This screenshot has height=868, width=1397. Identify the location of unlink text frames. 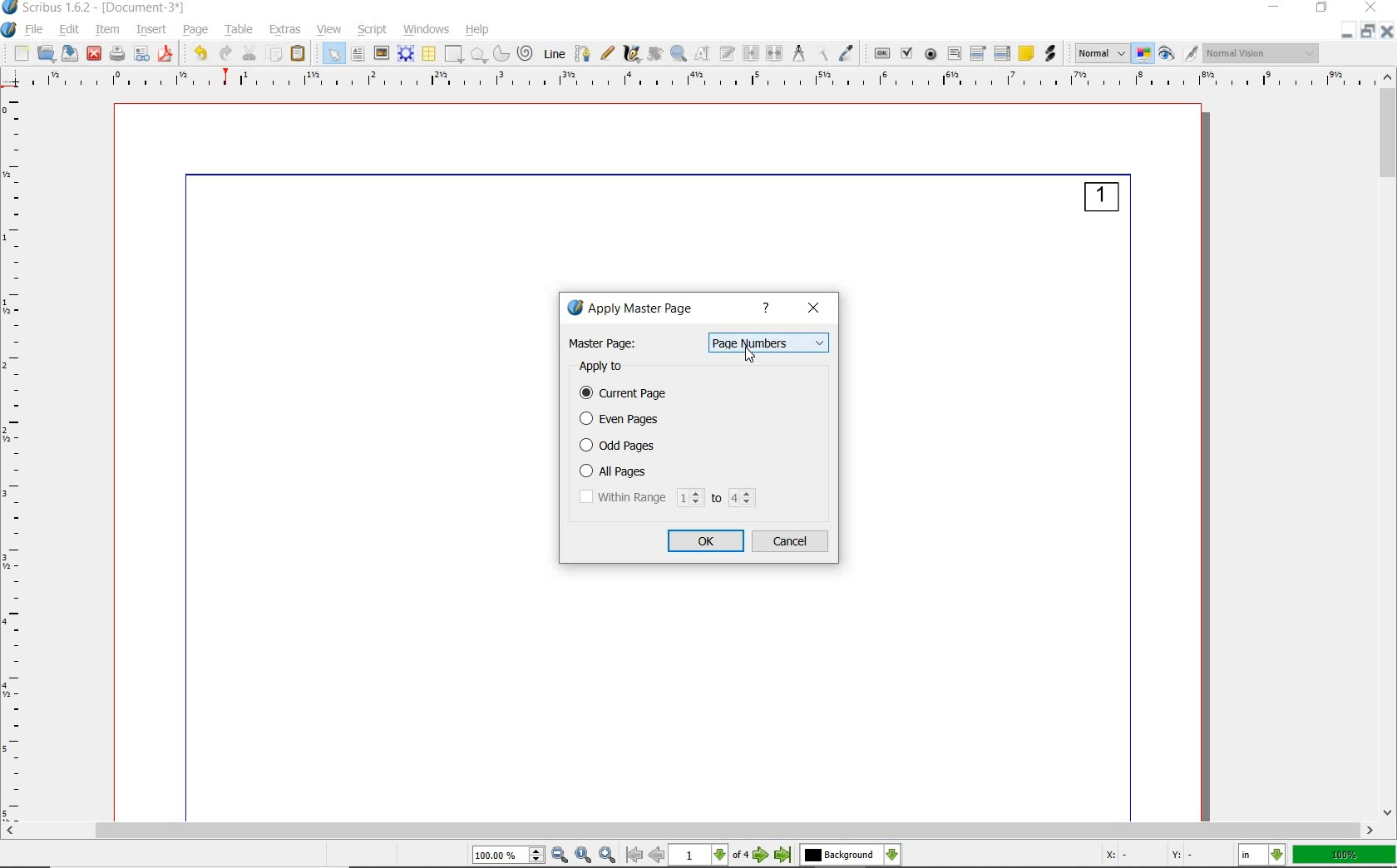
(775, 53).